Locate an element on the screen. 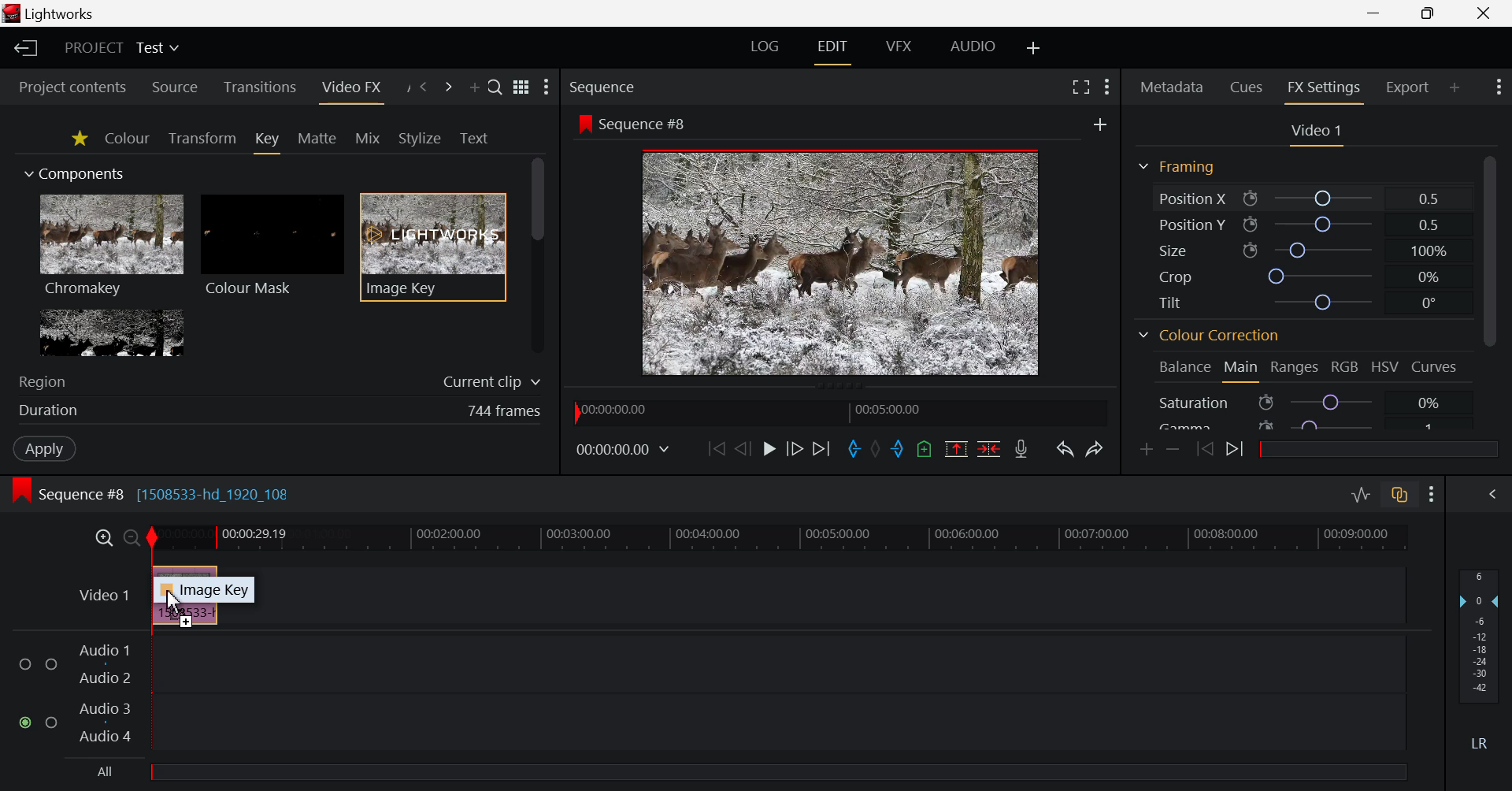  Gamma is located at coordinates (1190, 425).